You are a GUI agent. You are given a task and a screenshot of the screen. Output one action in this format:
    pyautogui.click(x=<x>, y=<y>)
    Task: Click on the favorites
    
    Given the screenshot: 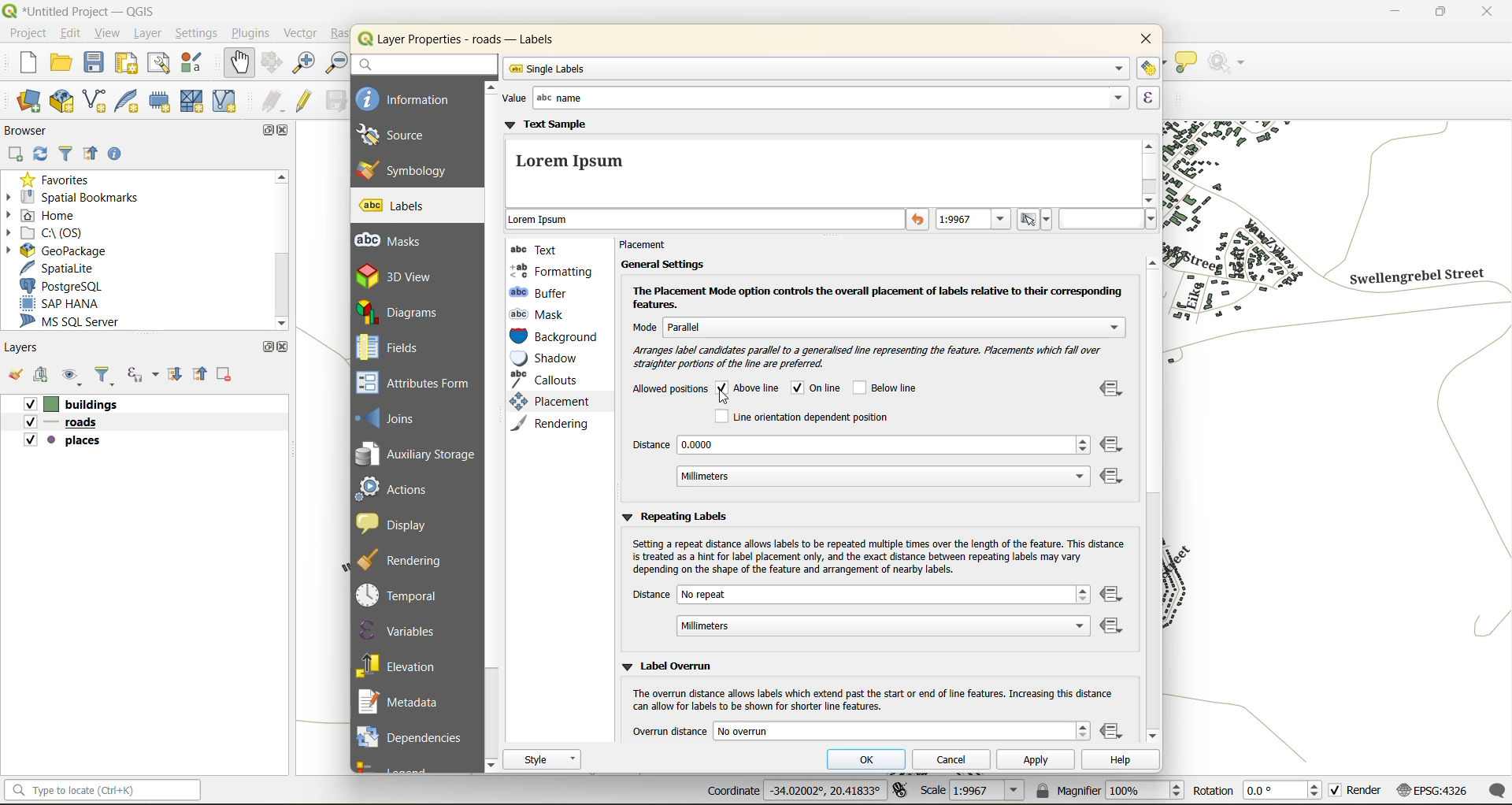 What is the action you would take?
    pyautogui.click(x=59, y=181)
    